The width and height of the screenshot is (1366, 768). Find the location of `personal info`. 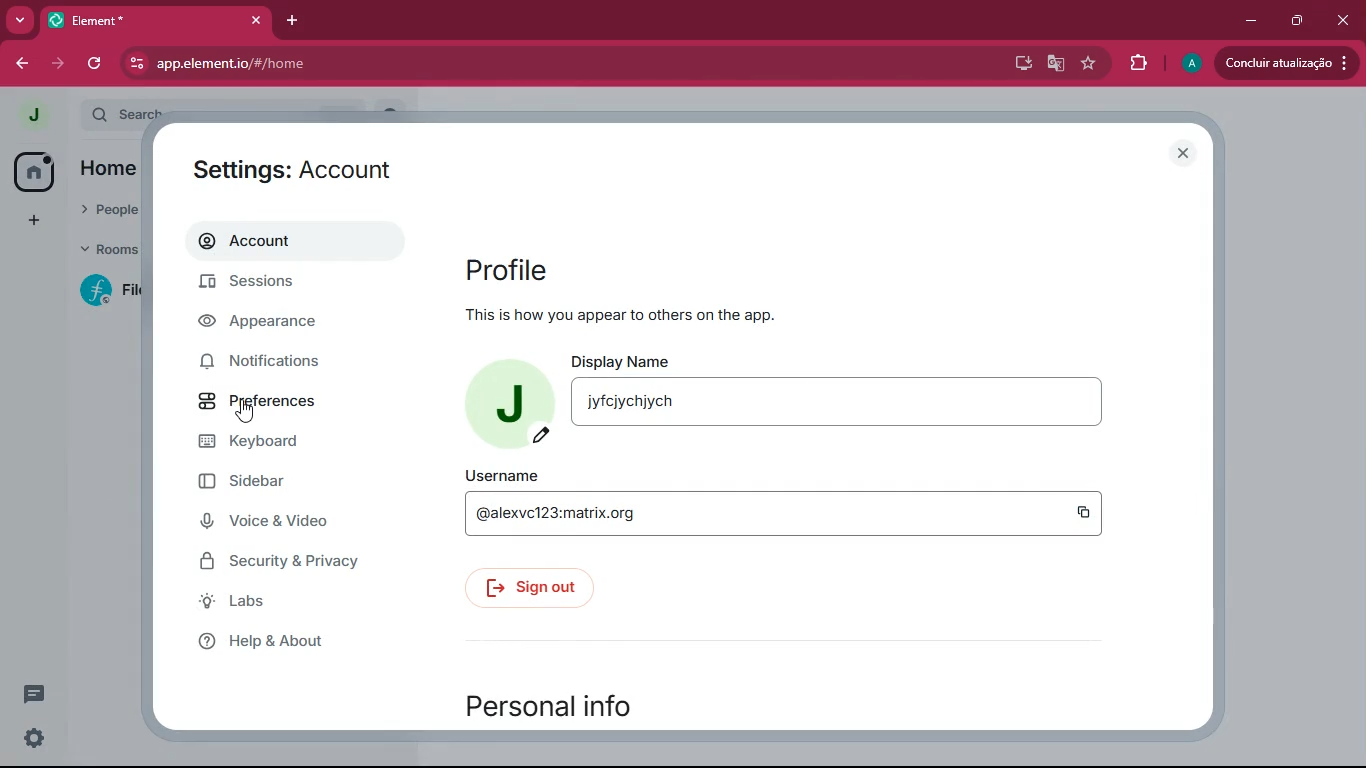

personal info is located at coordinates (557, 707).